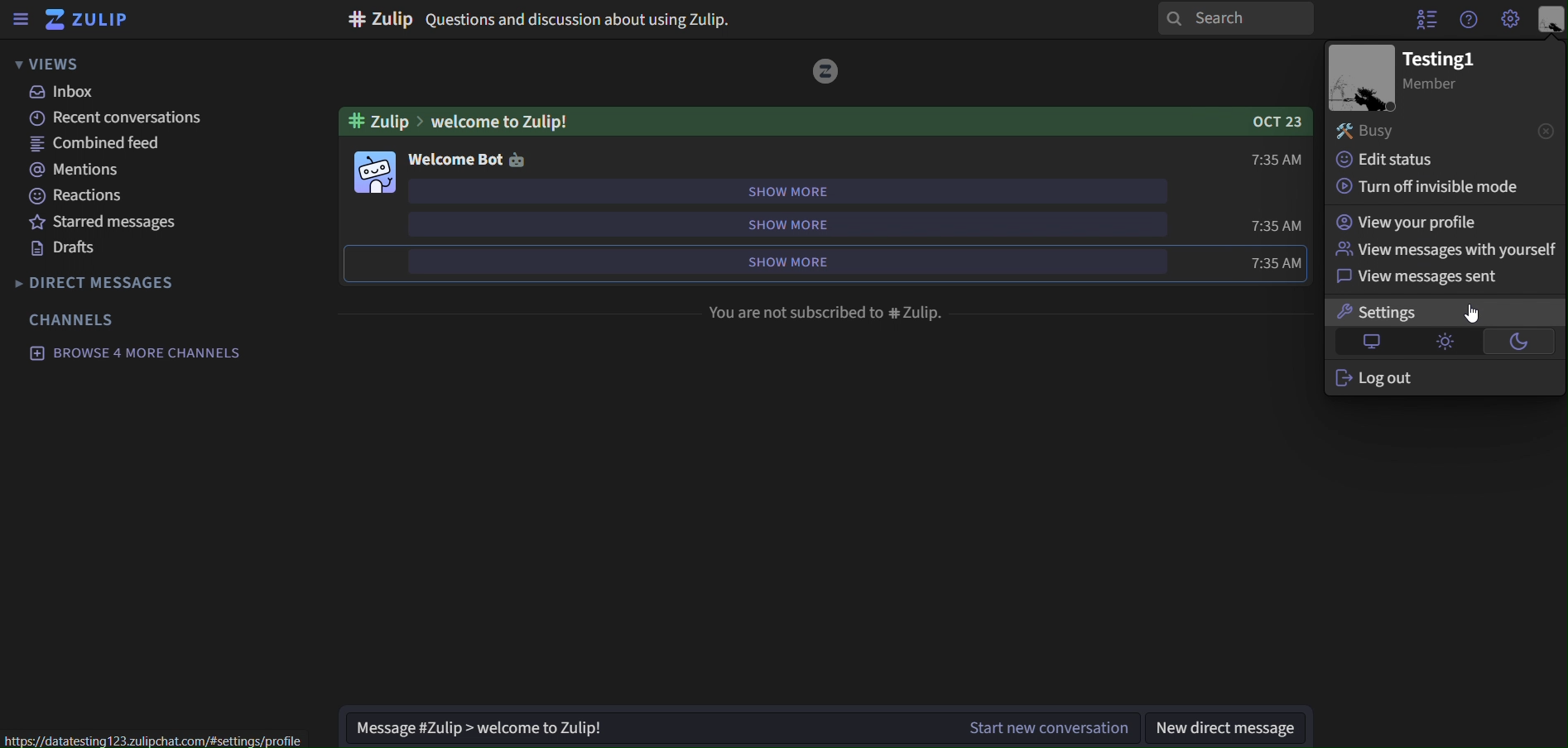 The image size is (1568, 748). What do you see at coordinates (1388, 311) in the screenshot?
I see `settings` at bounding box center [1388, 311].